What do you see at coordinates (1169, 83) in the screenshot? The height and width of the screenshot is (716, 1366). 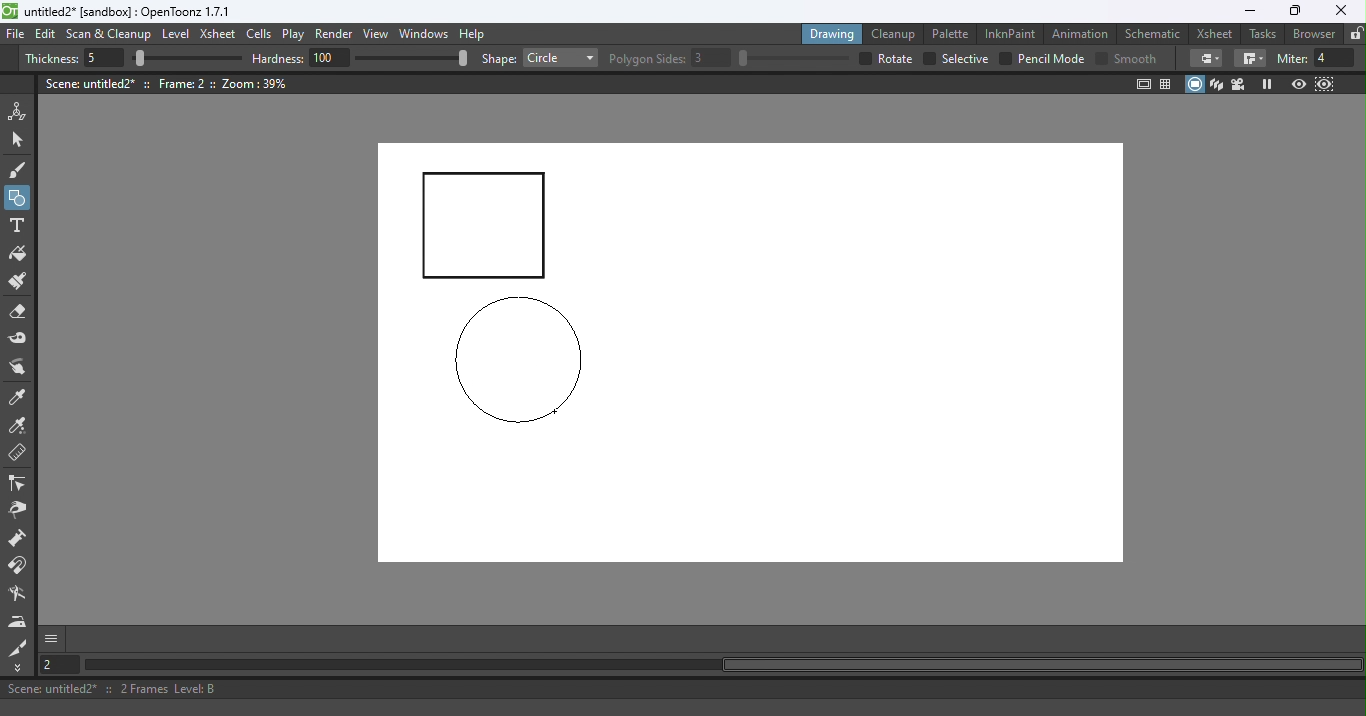 I see `Field guide` at bounding box center [1169, 83].